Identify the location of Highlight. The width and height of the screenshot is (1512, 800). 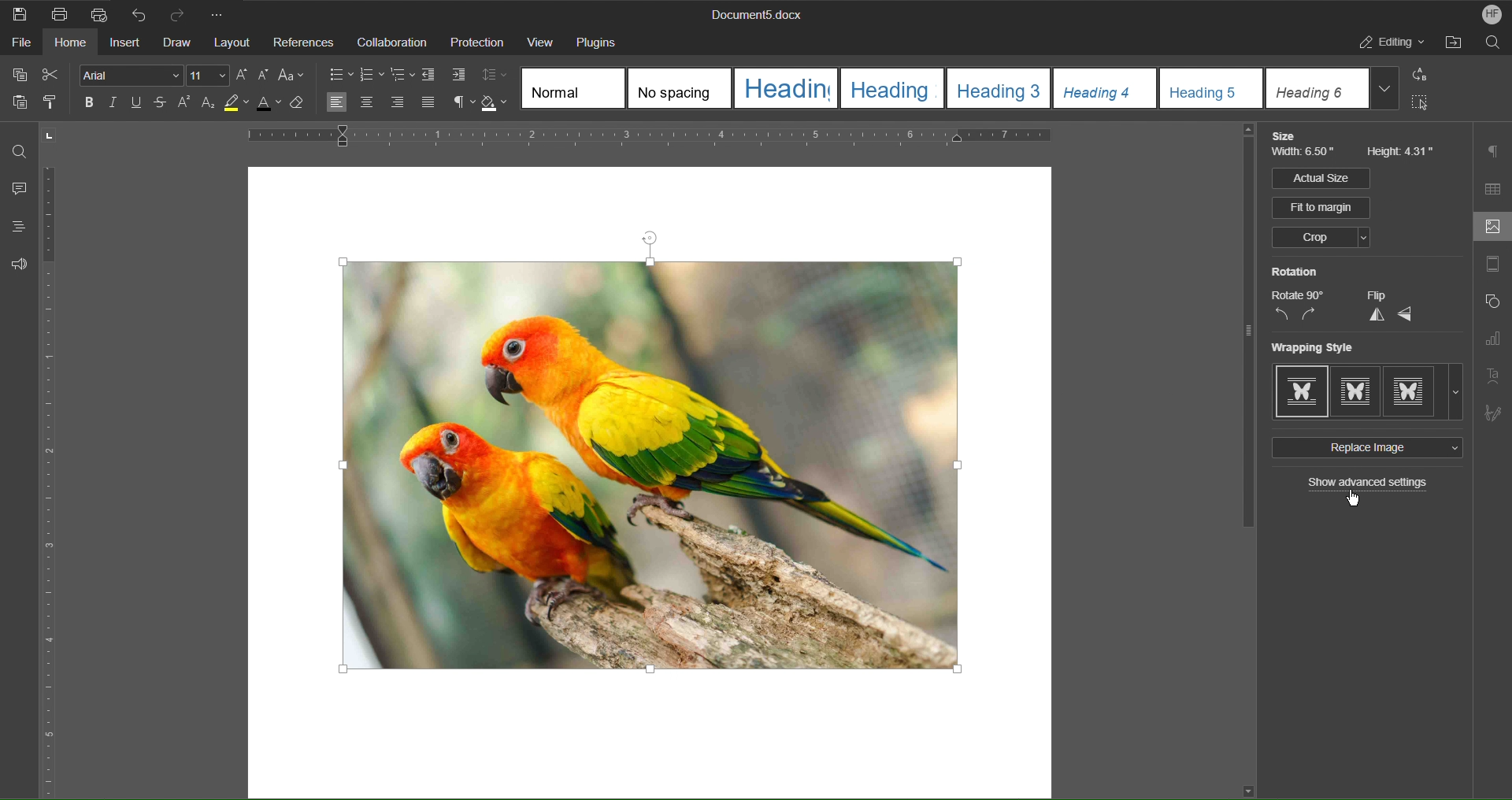
(240, 106).